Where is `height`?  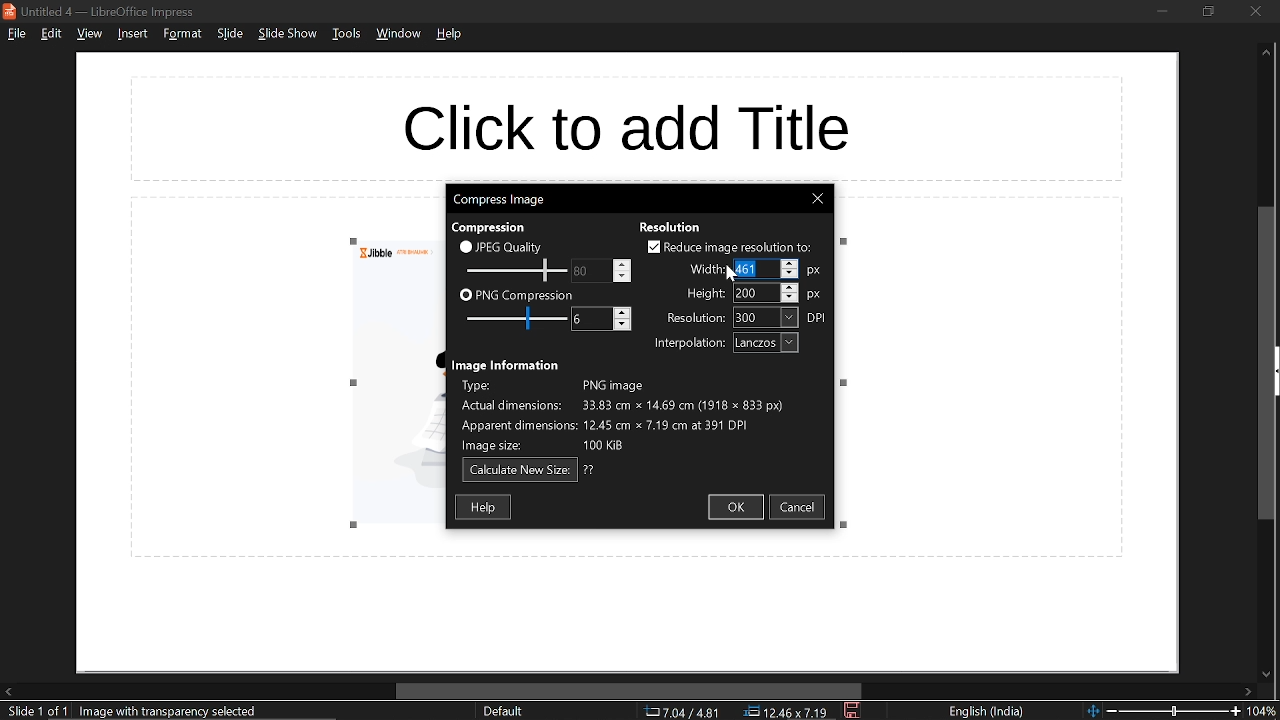
height is located at coordinates (749, 294).